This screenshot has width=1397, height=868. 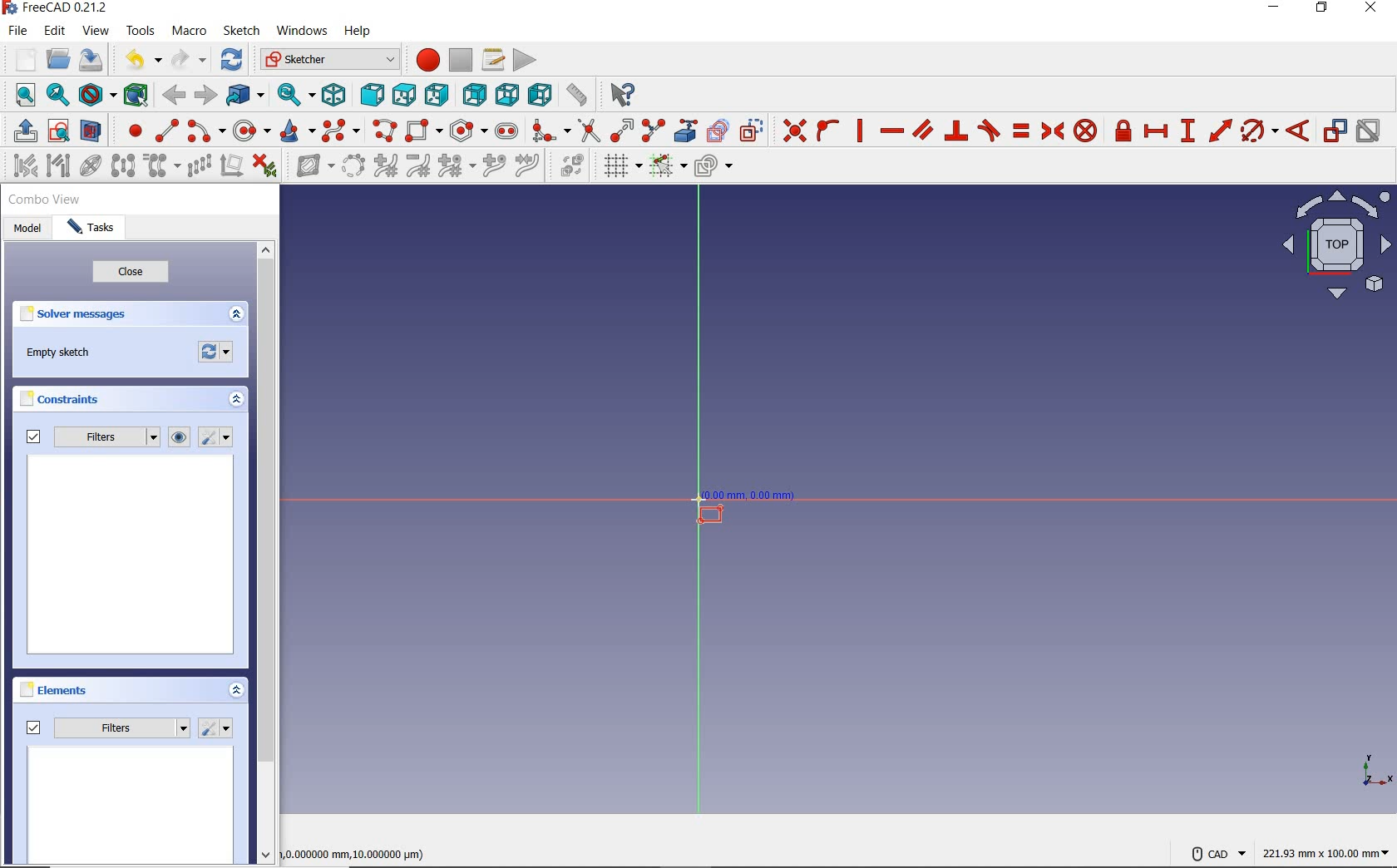 What do you see at coordinates (687, 131) in the screenshot?
I see `create external geometry` at bounding box center [687, 131].